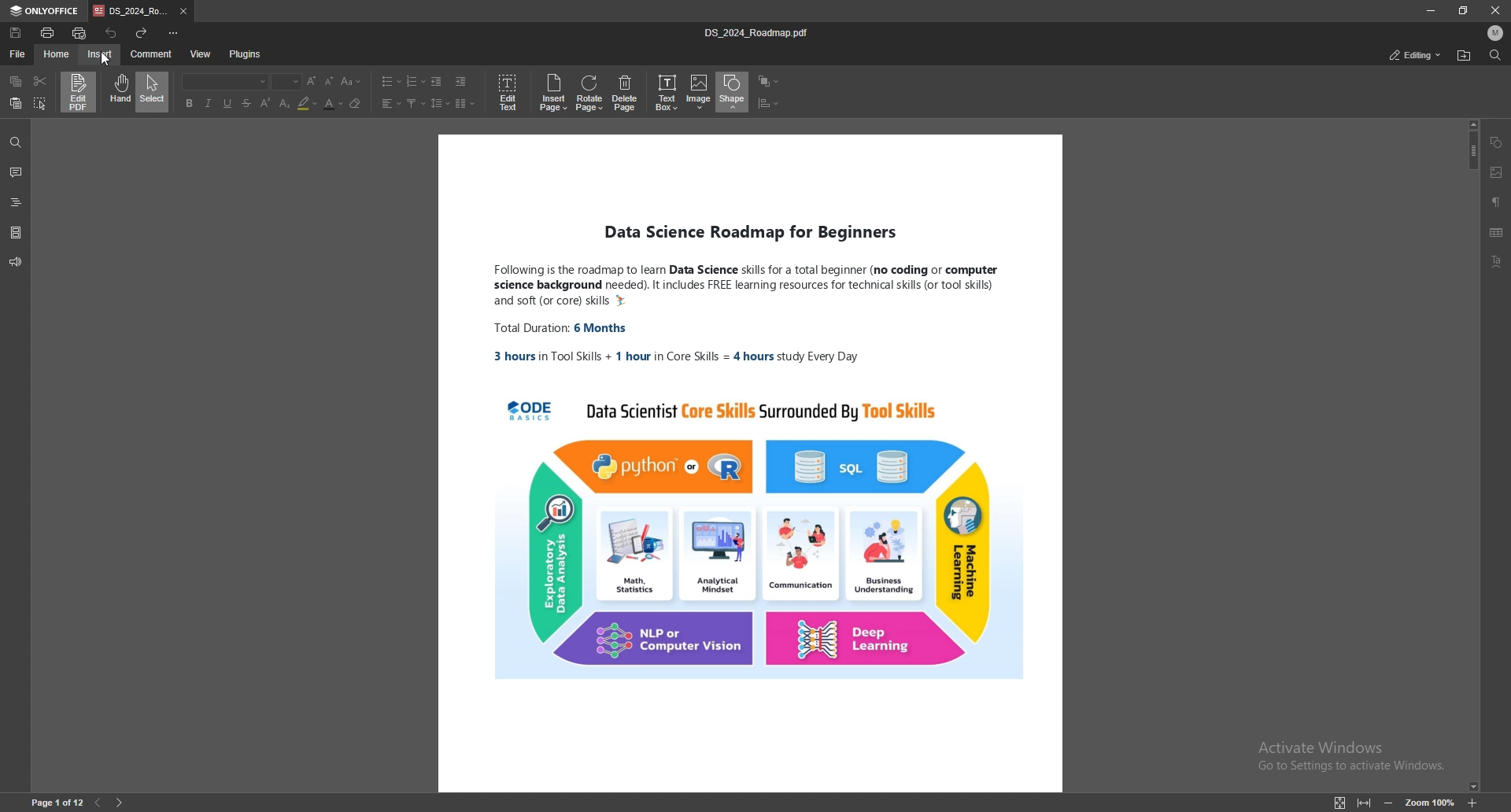  What do you see at coordinates (39, 80) in the screenshot?
I see `cut` at bounding box center [39, 80].